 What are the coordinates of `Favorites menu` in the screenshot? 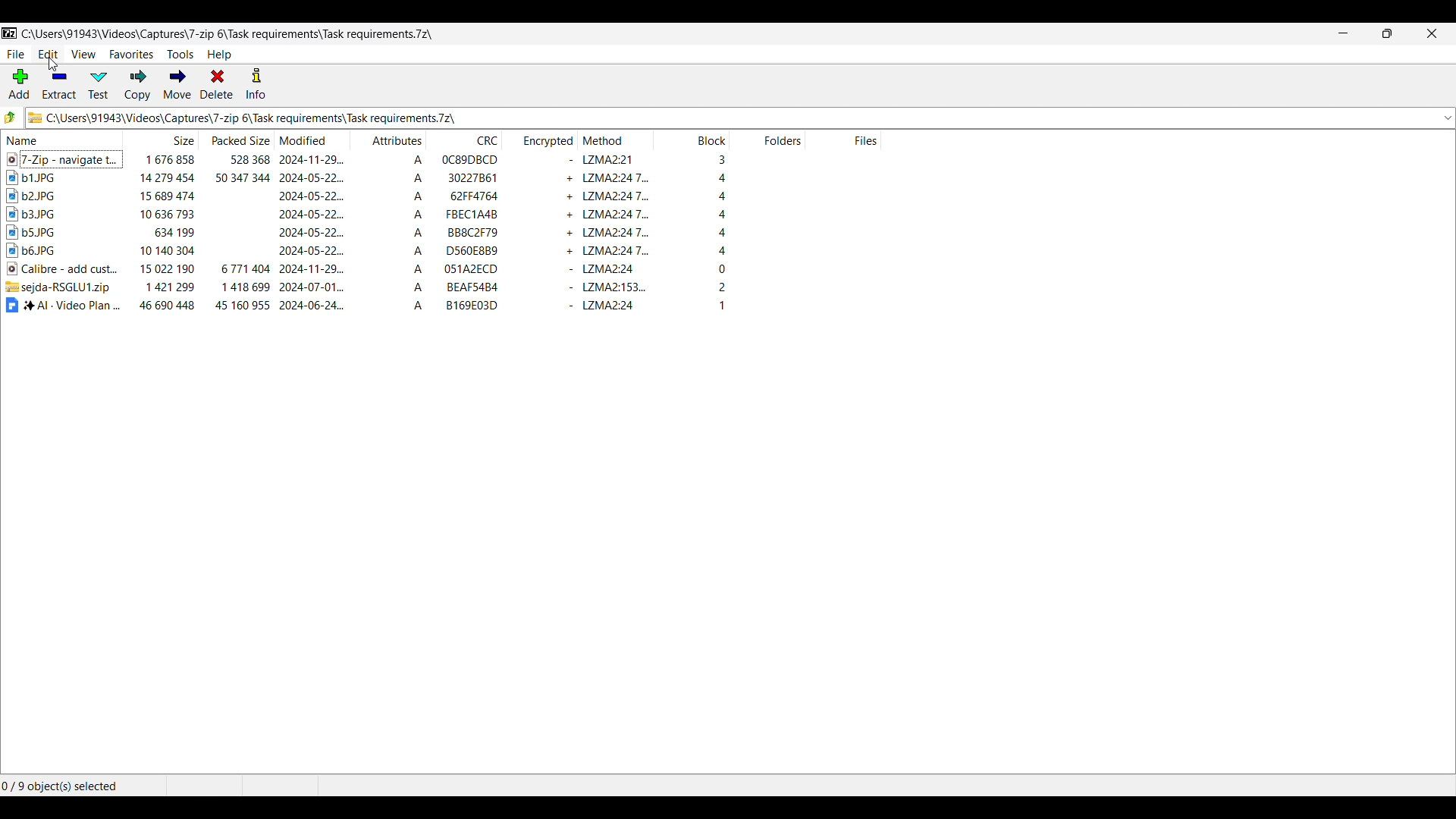 It's located at (131, 55).